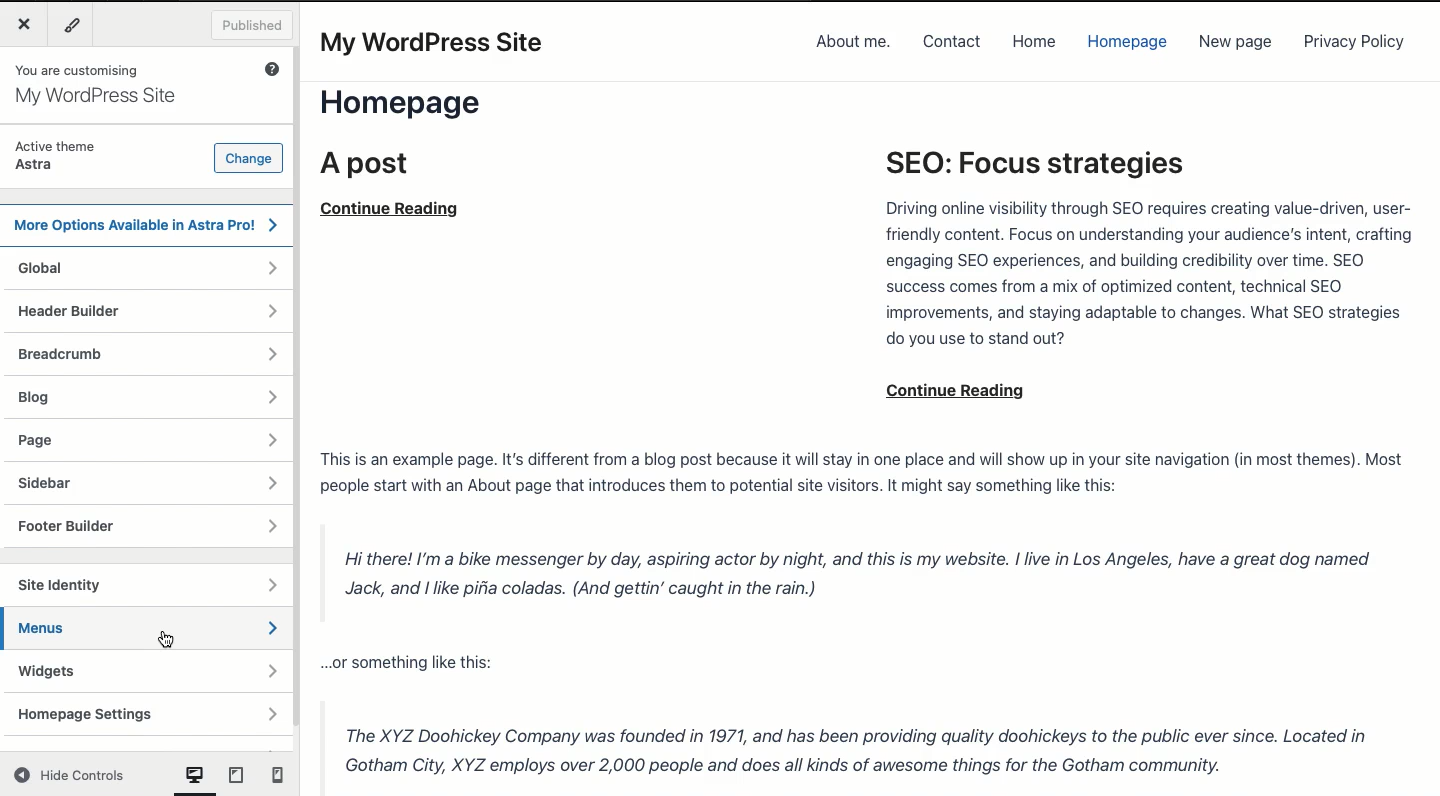  Describe the element at coordinates (961, 390) in the screenshot. I see `continue` at that location.